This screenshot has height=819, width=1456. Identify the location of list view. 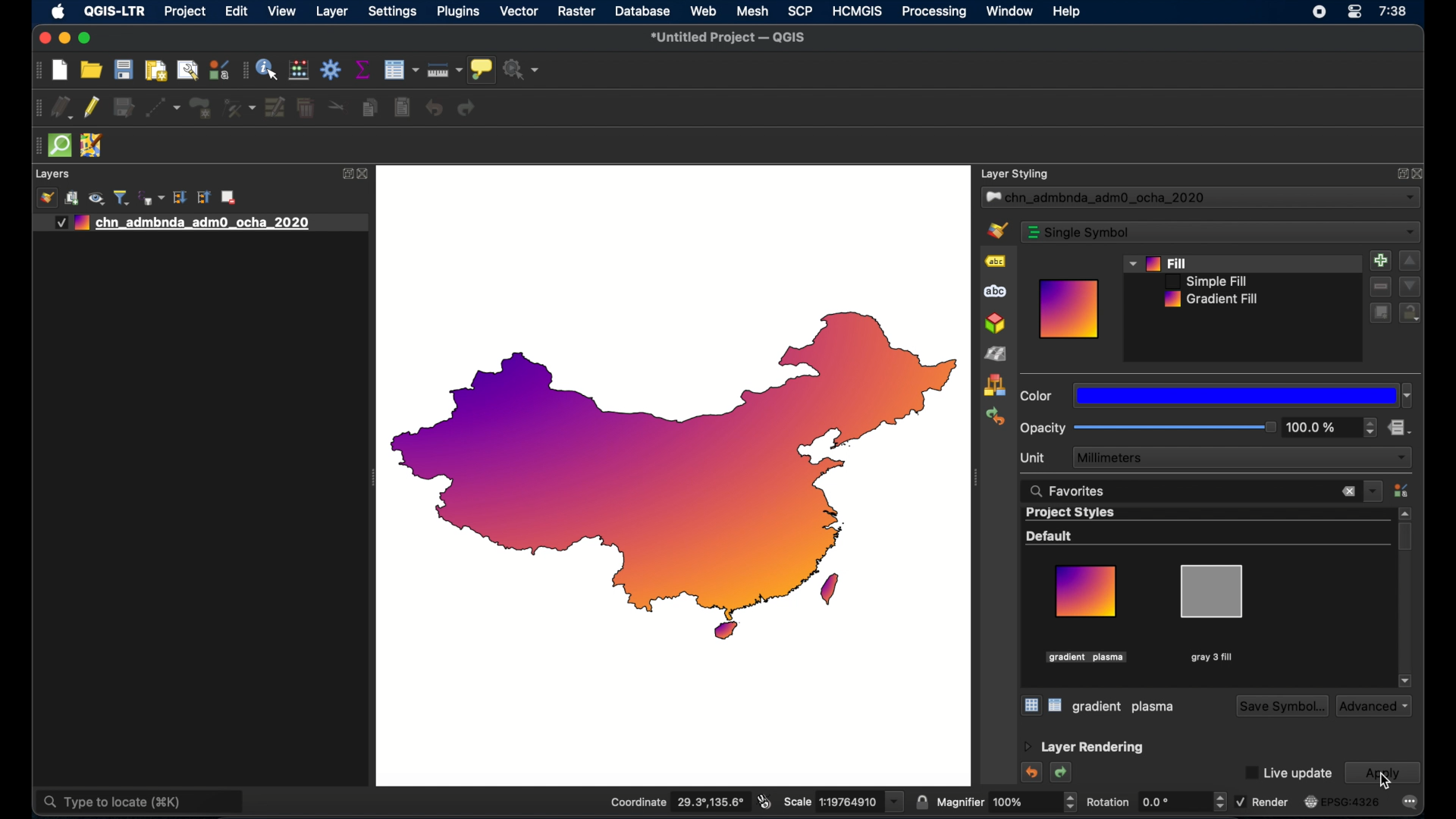
(1056, 705).